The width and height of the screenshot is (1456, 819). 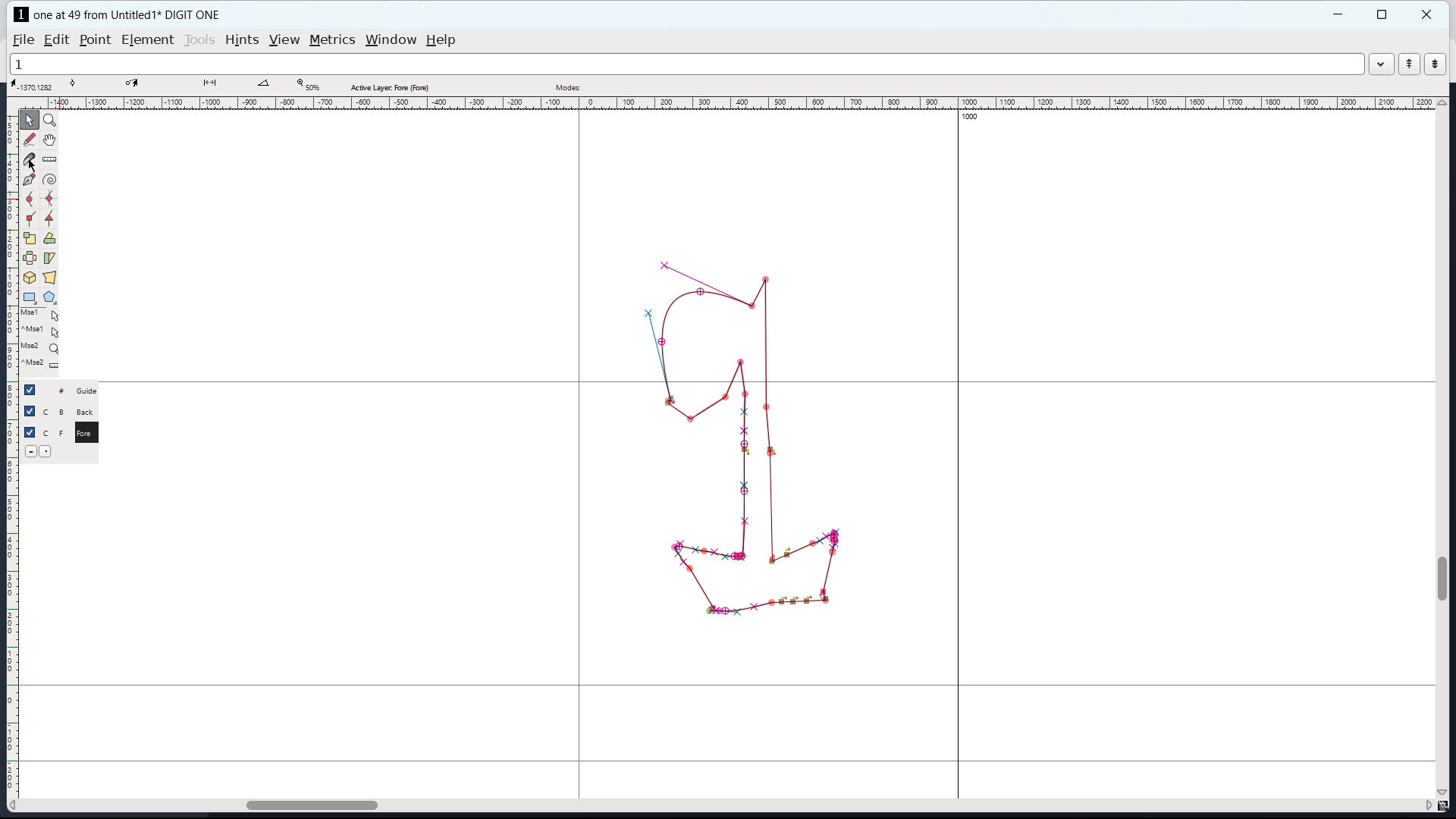 What do you see at coordinates (24, 40) in the screenshot?
I see `file` at bounding box center [24, 40].